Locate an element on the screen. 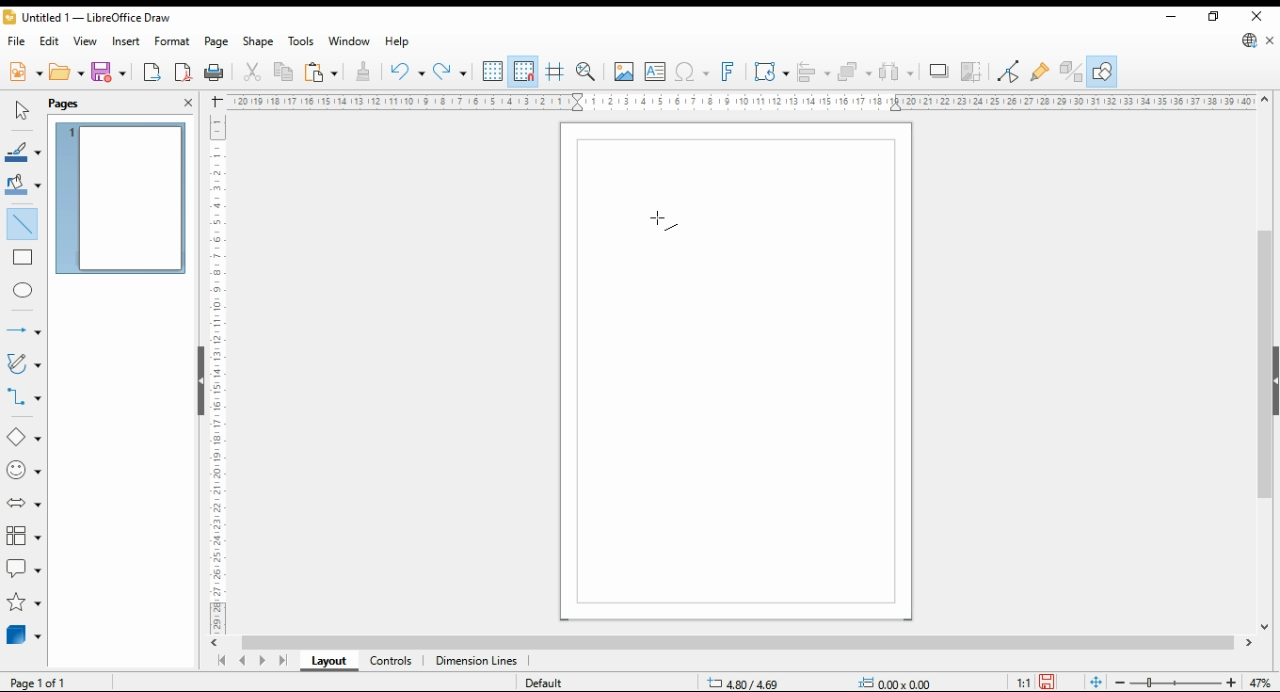  transformations is located at coordinates (771, 72).